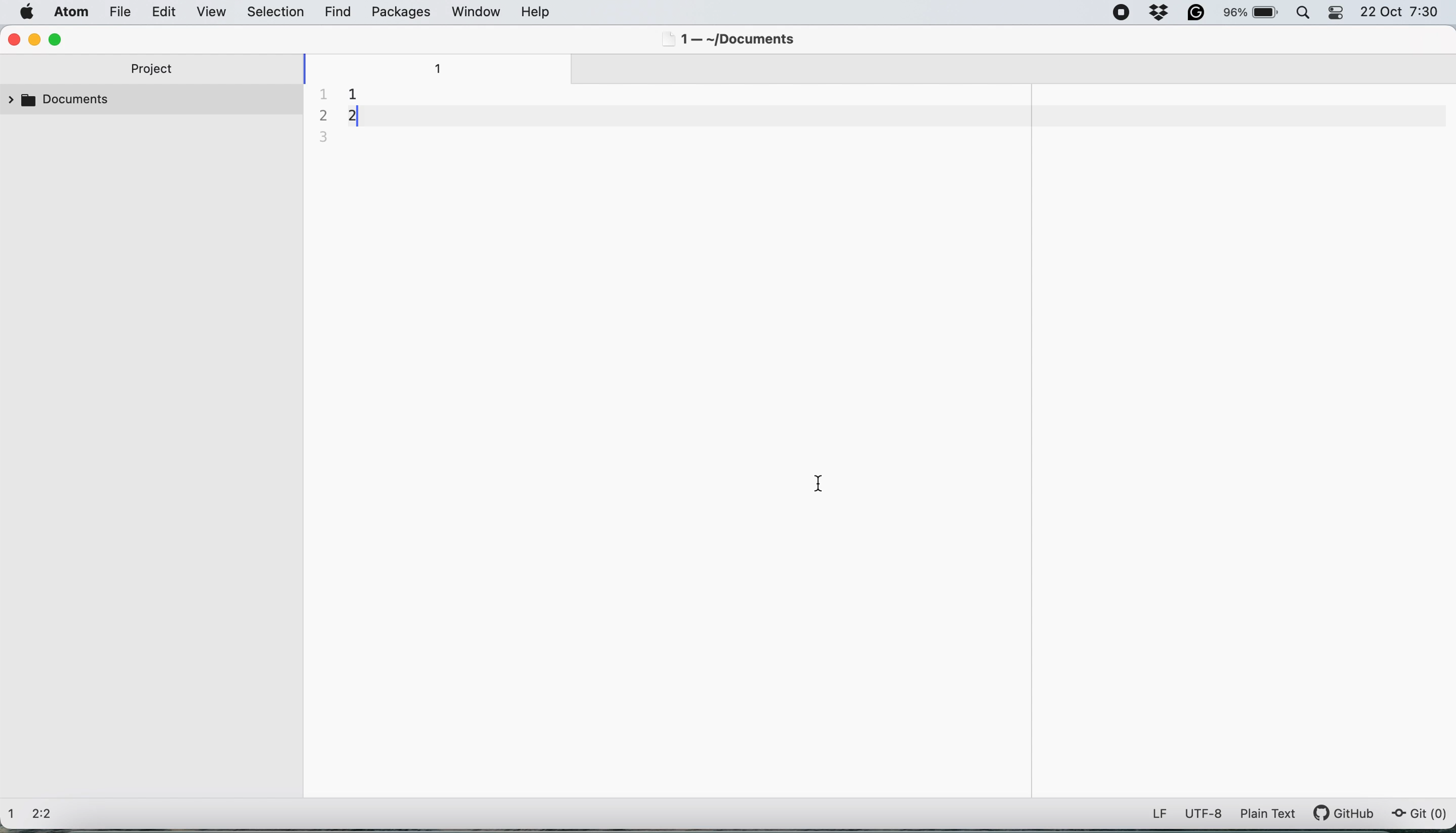 Image resolution: width=1456 pixels, height=833 pixels. Describe the element at coordinates (278, 11) in the screenshot. I see `selection` at that location.